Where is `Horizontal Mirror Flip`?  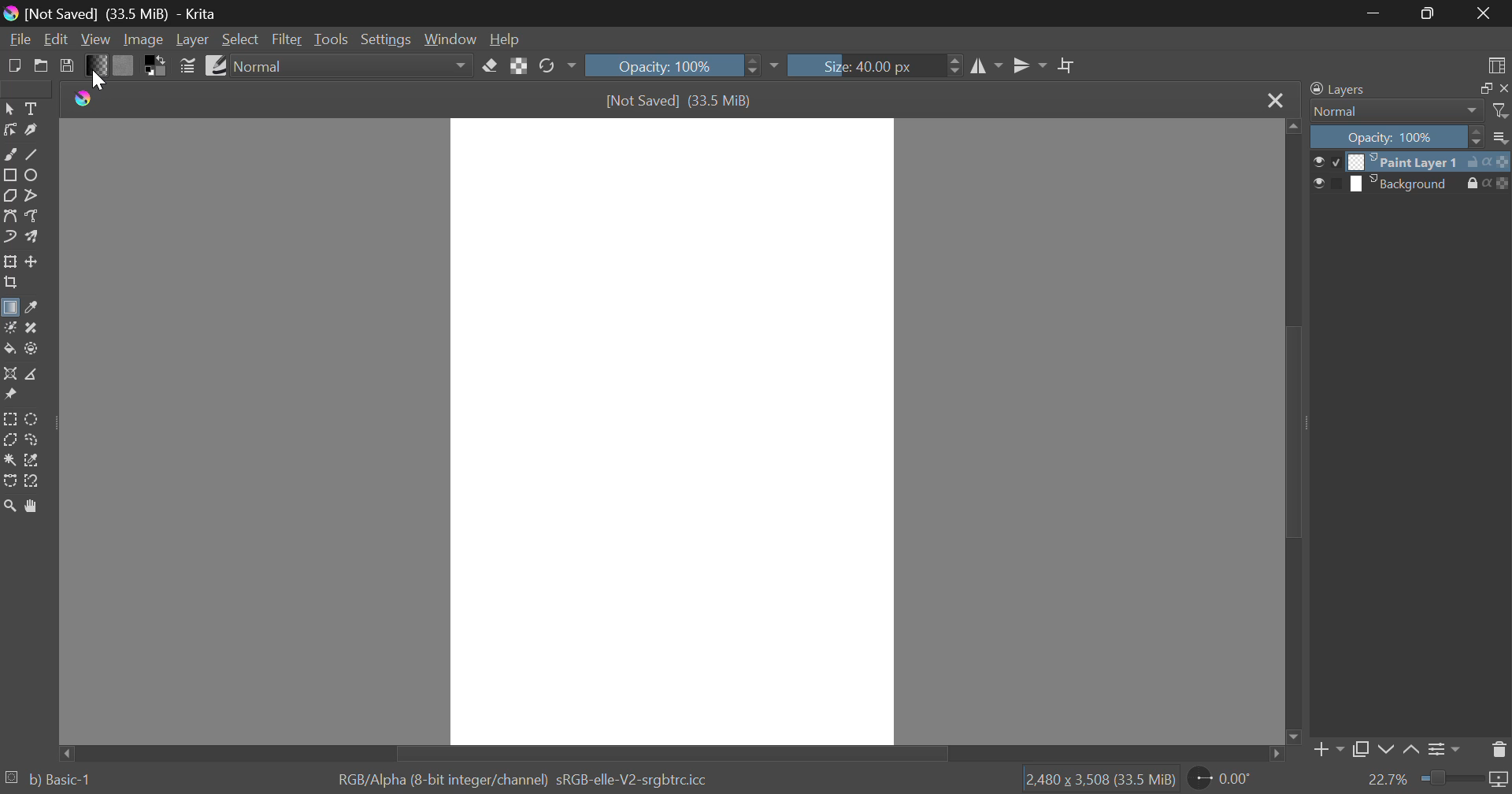 Horizontal Mirror Flip is located at coordinates (1026, 68).